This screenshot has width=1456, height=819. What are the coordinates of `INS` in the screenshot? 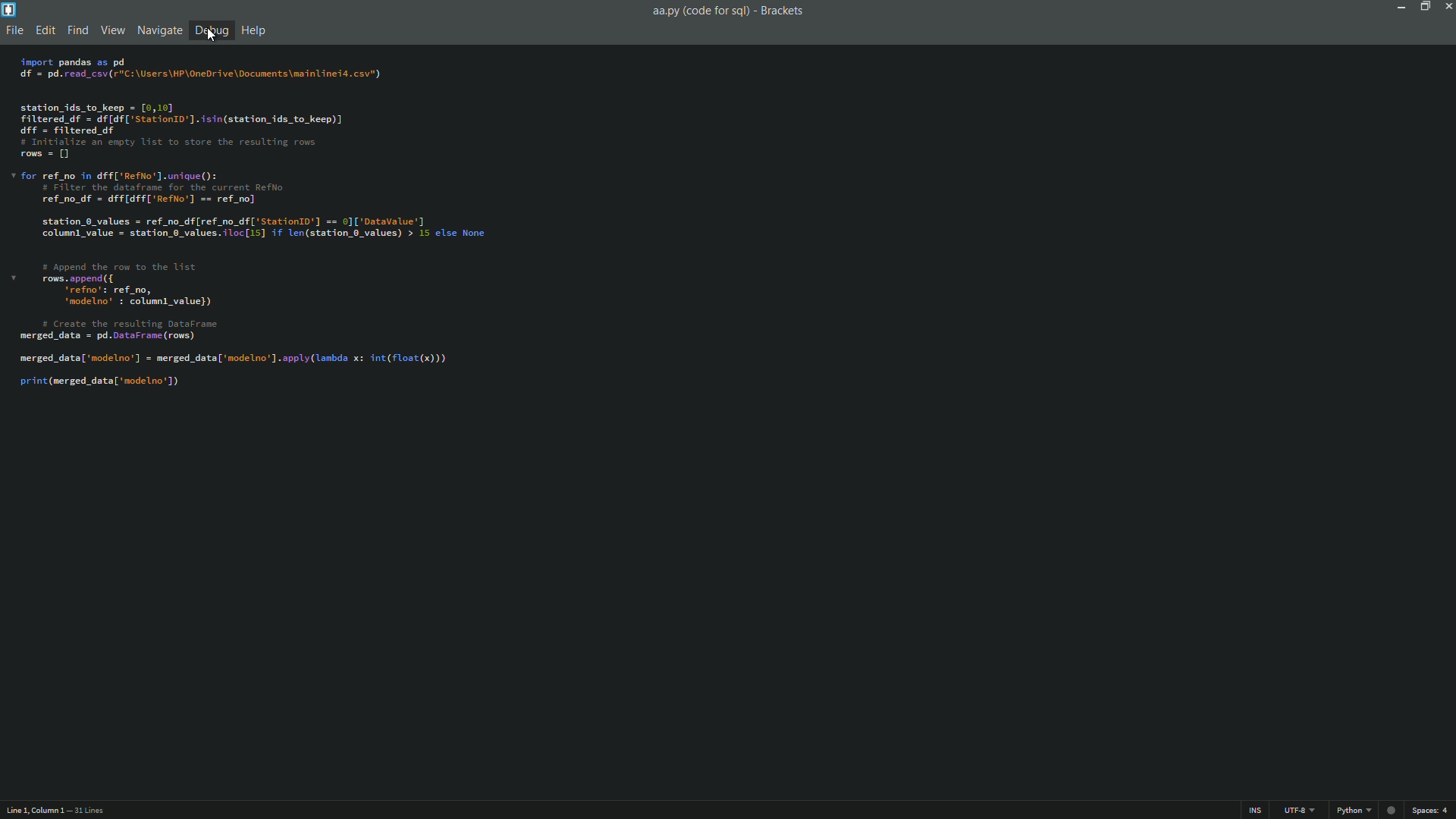 It's located at (1257, 809).